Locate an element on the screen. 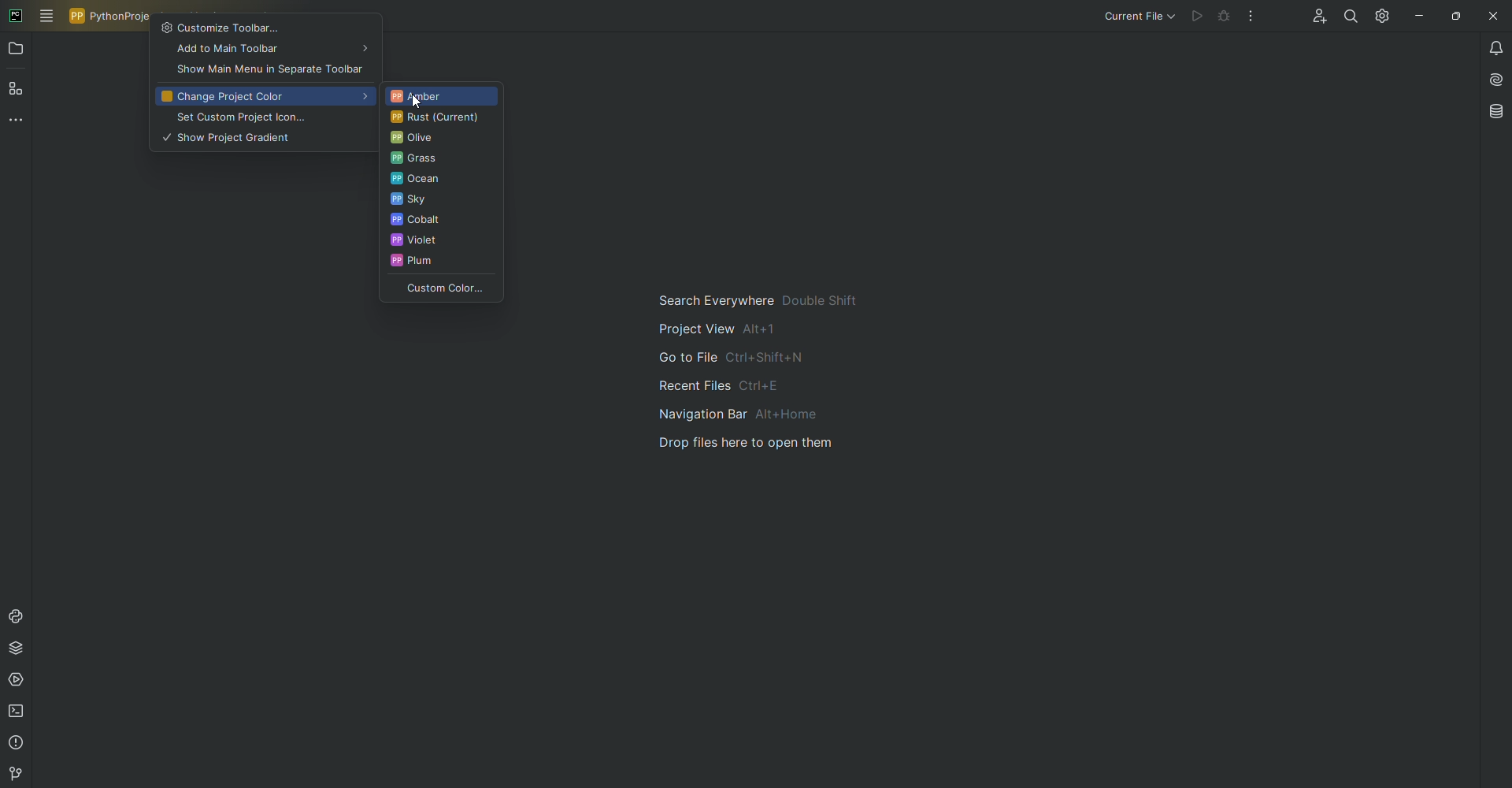 Image resolution: width=1512 pixels, height=788 pixels. Amber is located at coordinates (439, 95).